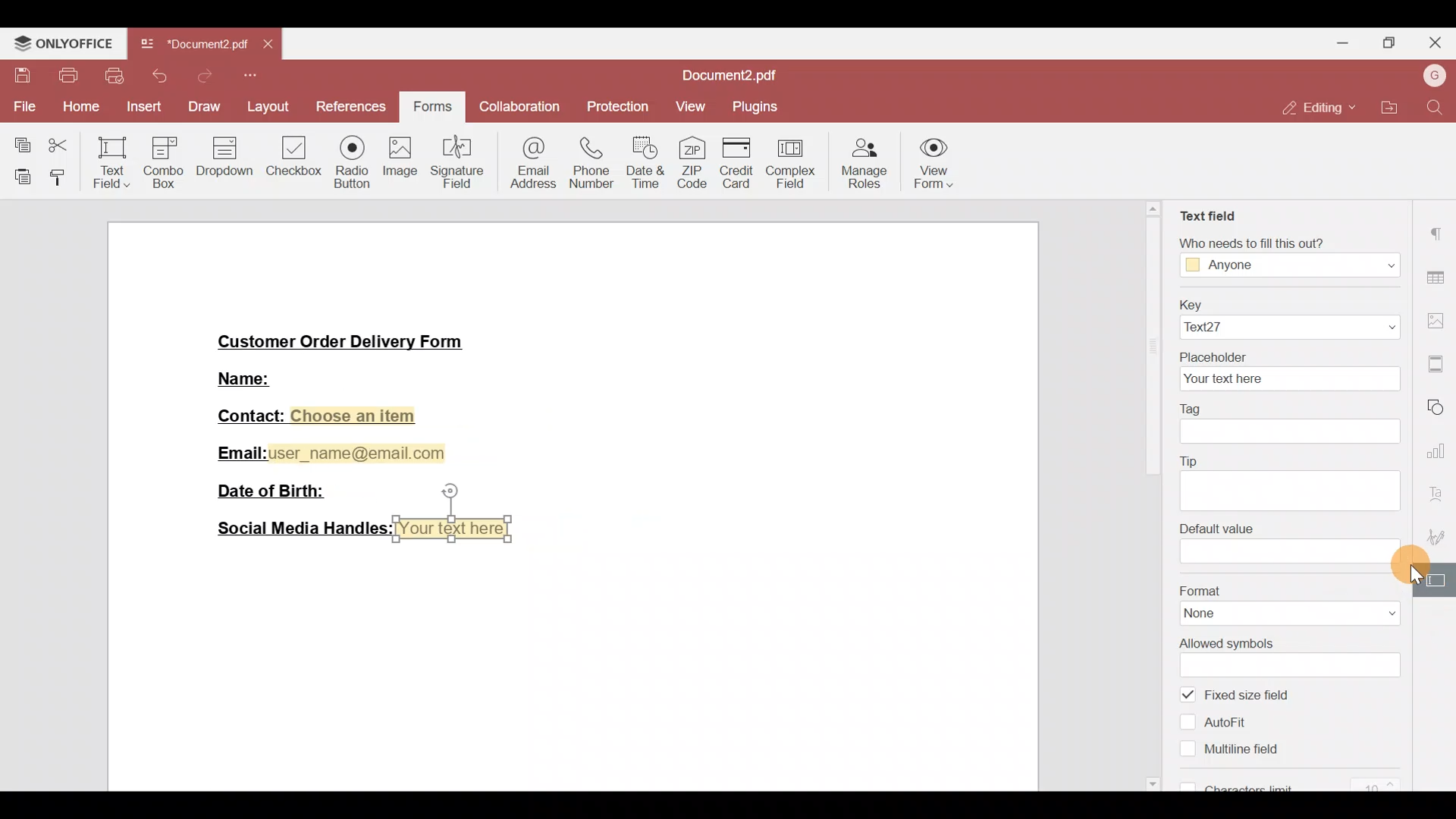  What do you see at coordinates (167, 160) in the screenshot?
I see `Combo box` at bounding box center [167, 160].